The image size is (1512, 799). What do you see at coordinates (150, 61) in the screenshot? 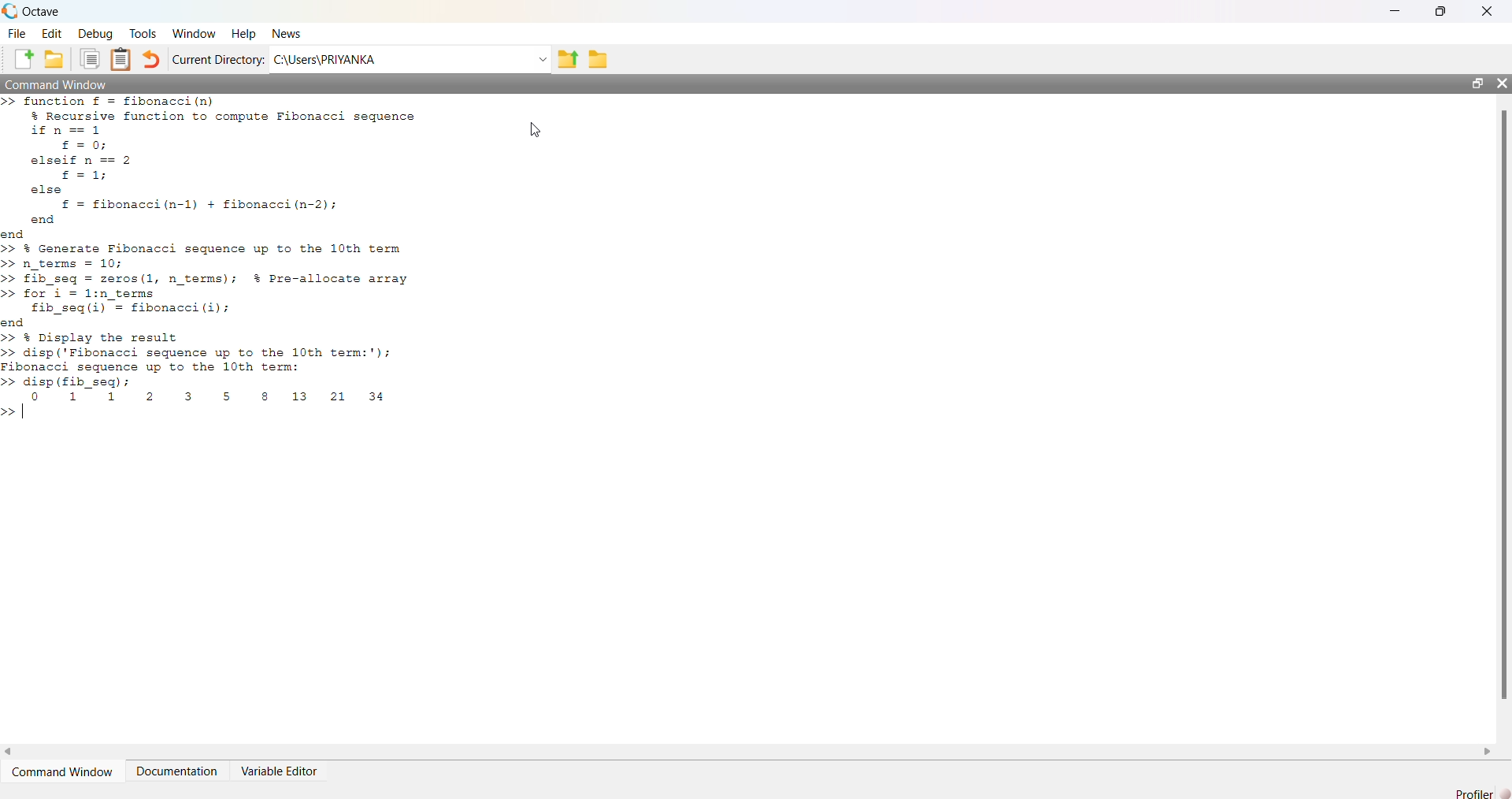
I see `undo` at bounding box center [150, 61].